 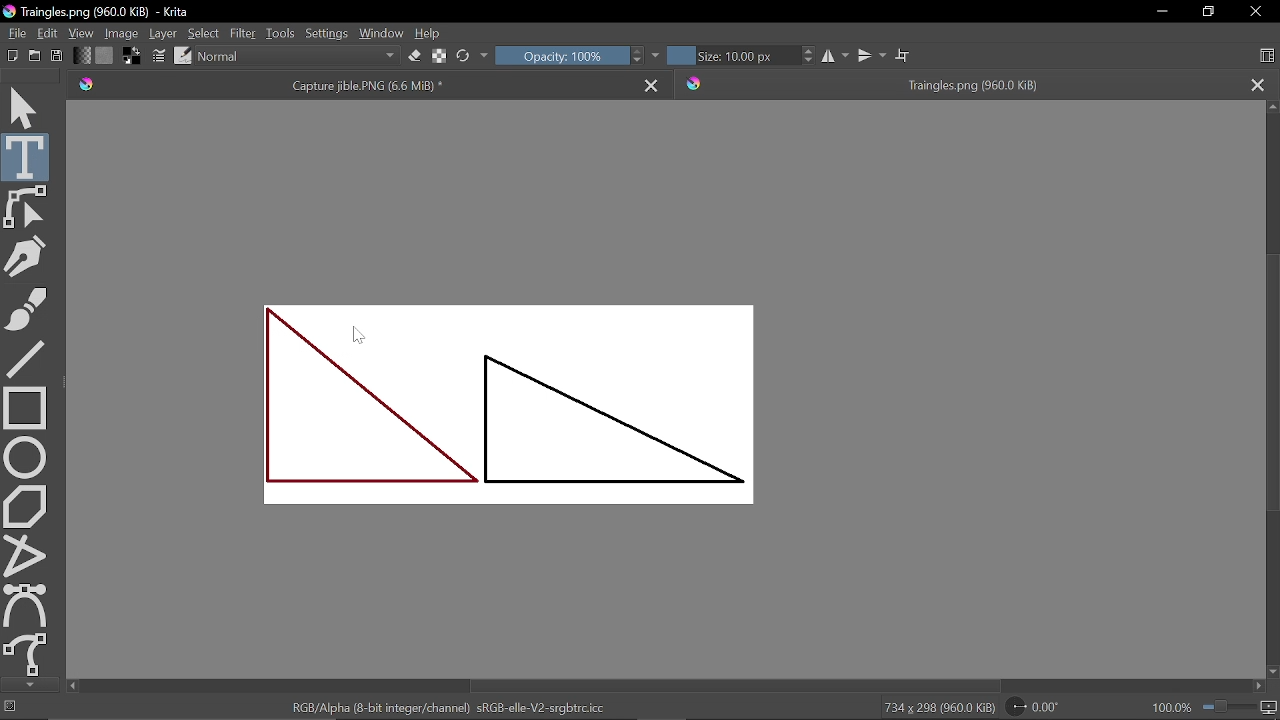 I want to click on 100, so click(x=1170, y=710).